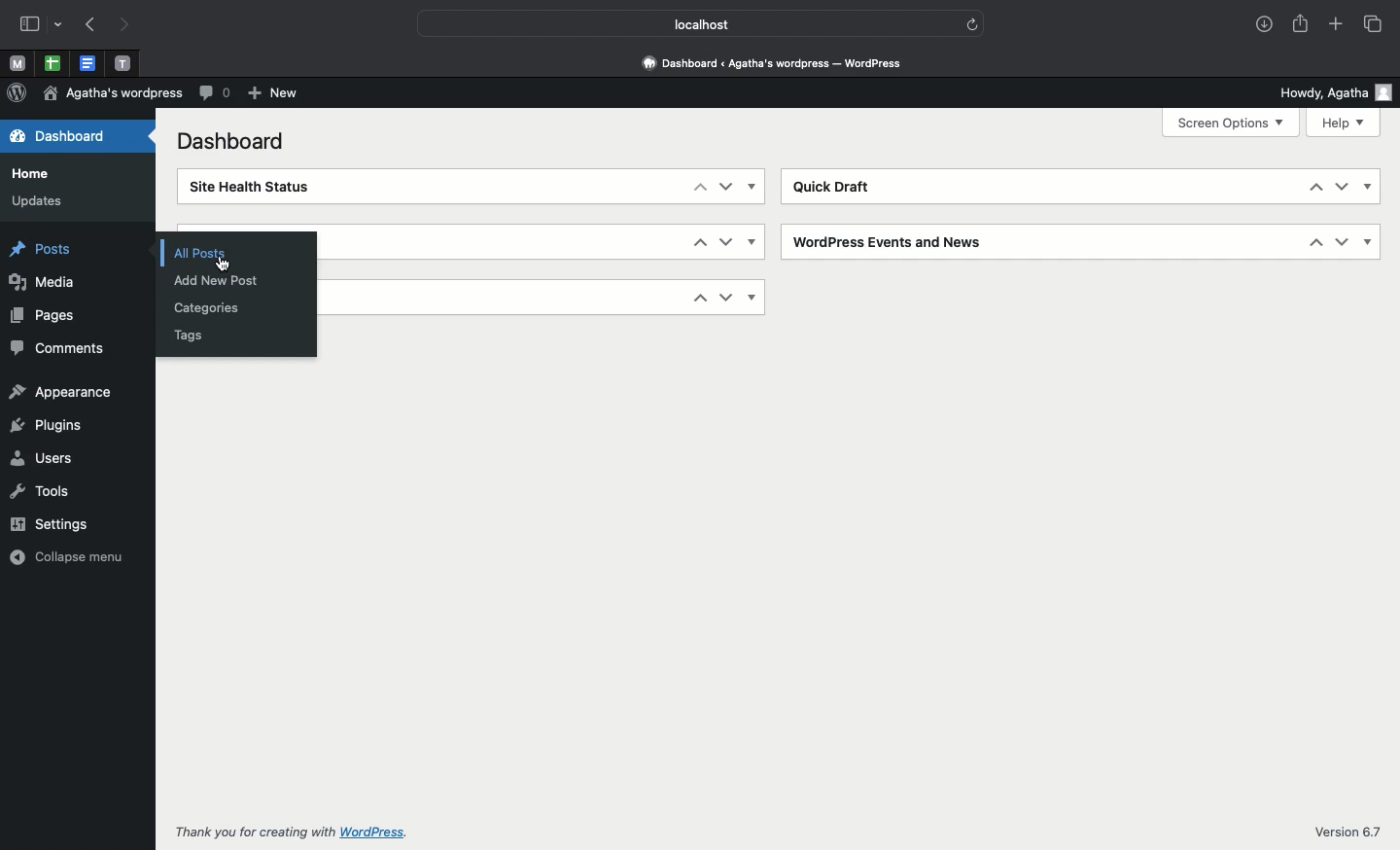  Describe the element at coordinates (52, 253) in the screenshot. I see `Posts` at that location.